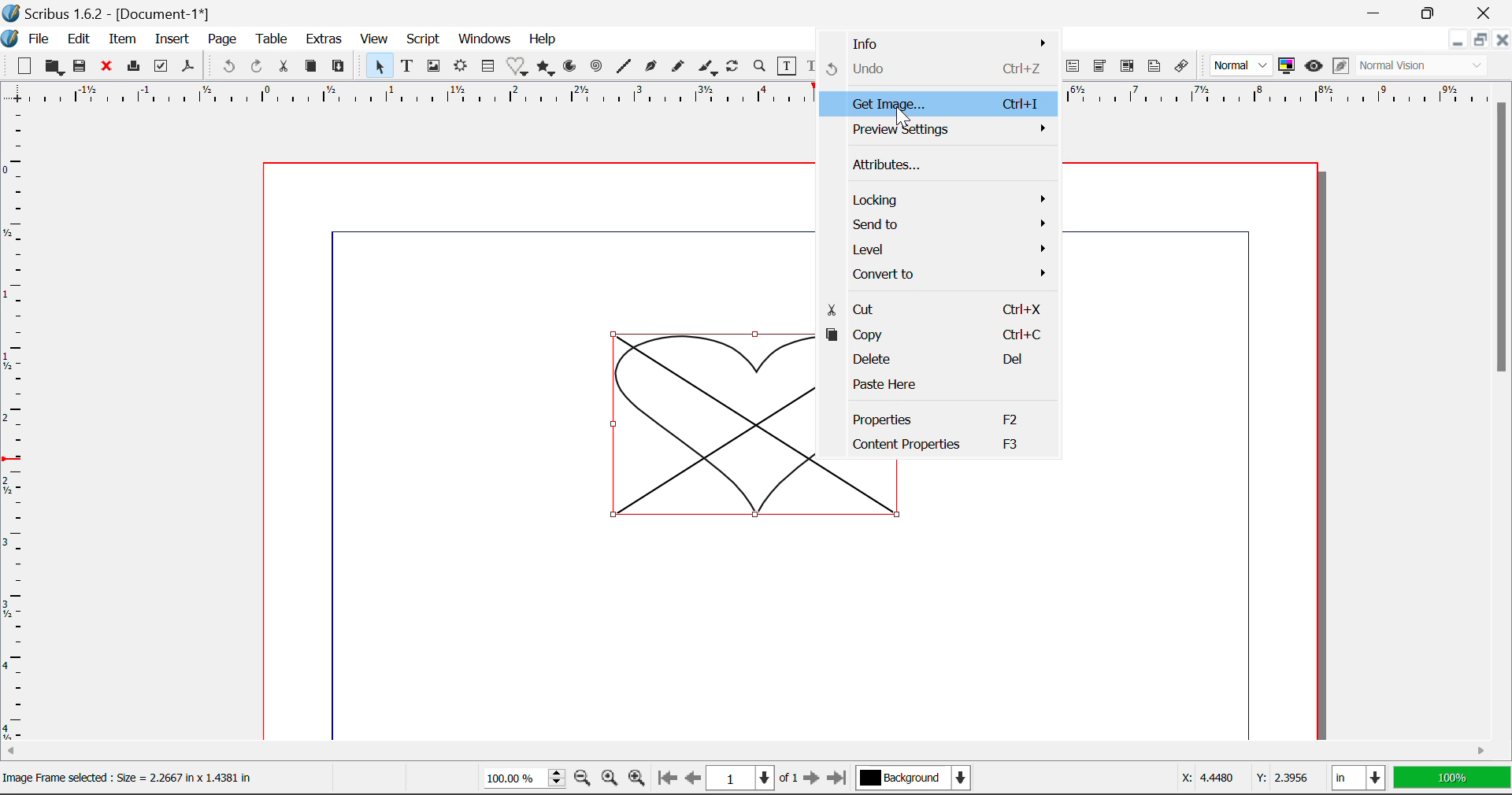  I want to click on Close, so click(1488, 13).